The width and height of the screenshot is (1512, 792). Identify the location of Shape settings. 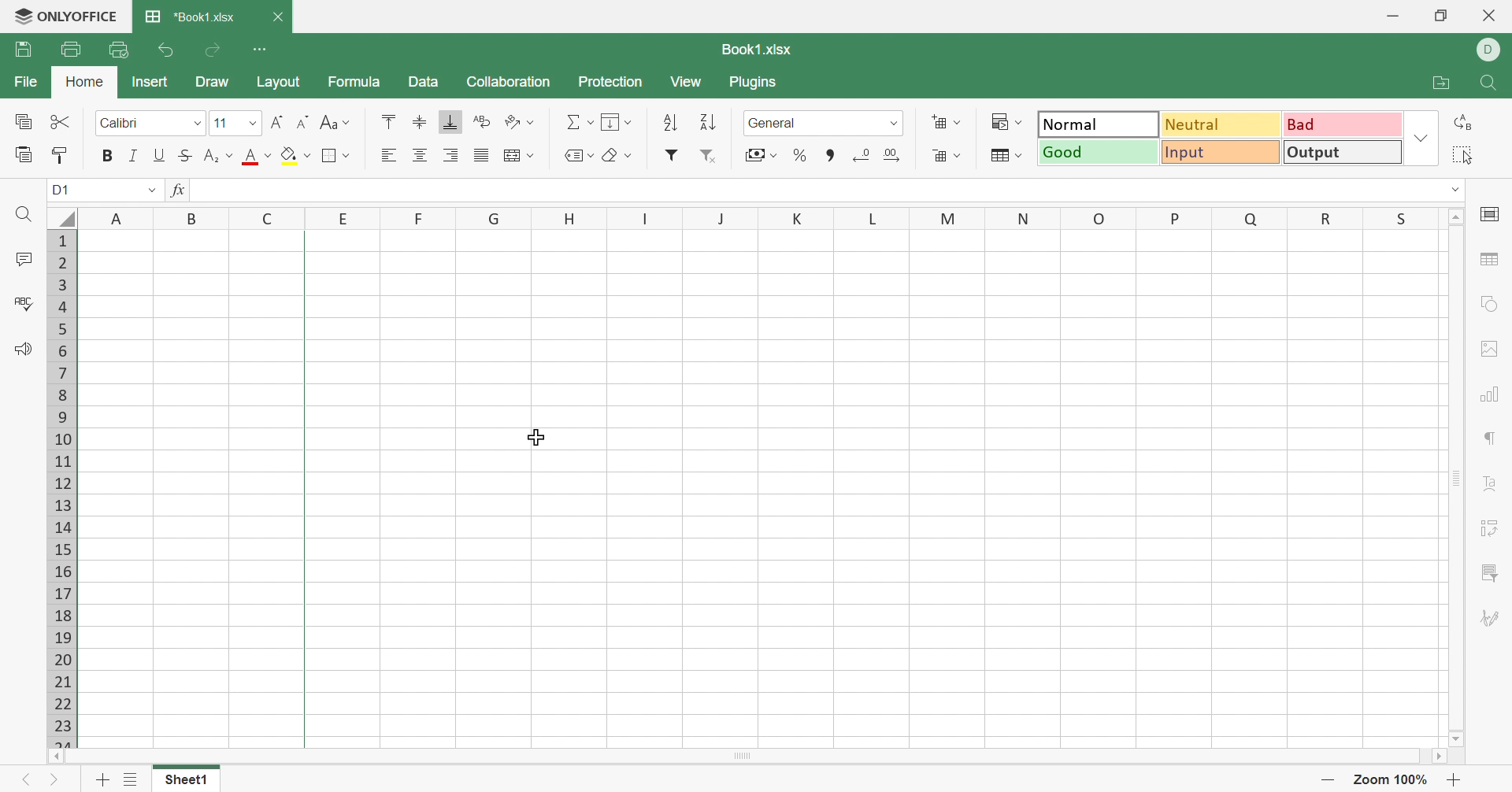
(1493, 304).